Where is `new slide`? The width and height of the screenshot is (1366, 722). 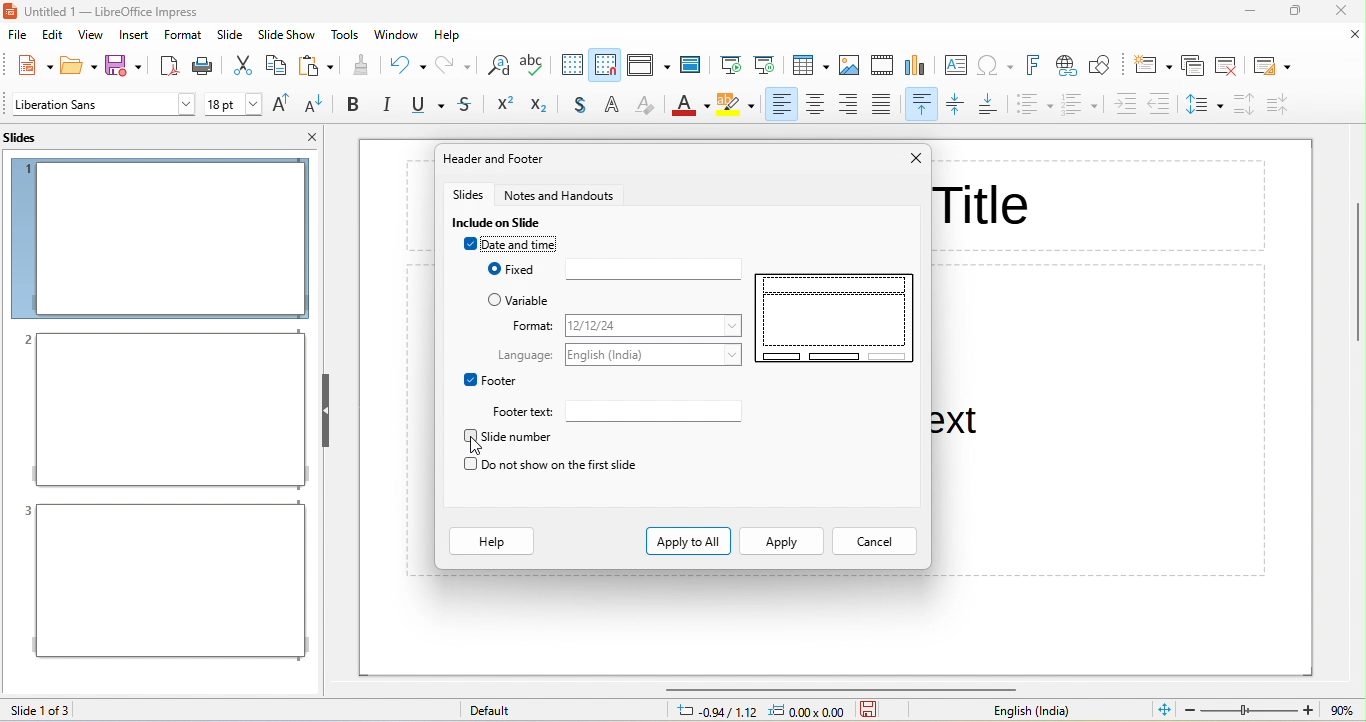 new slide is located at coordinates (1151, 65).